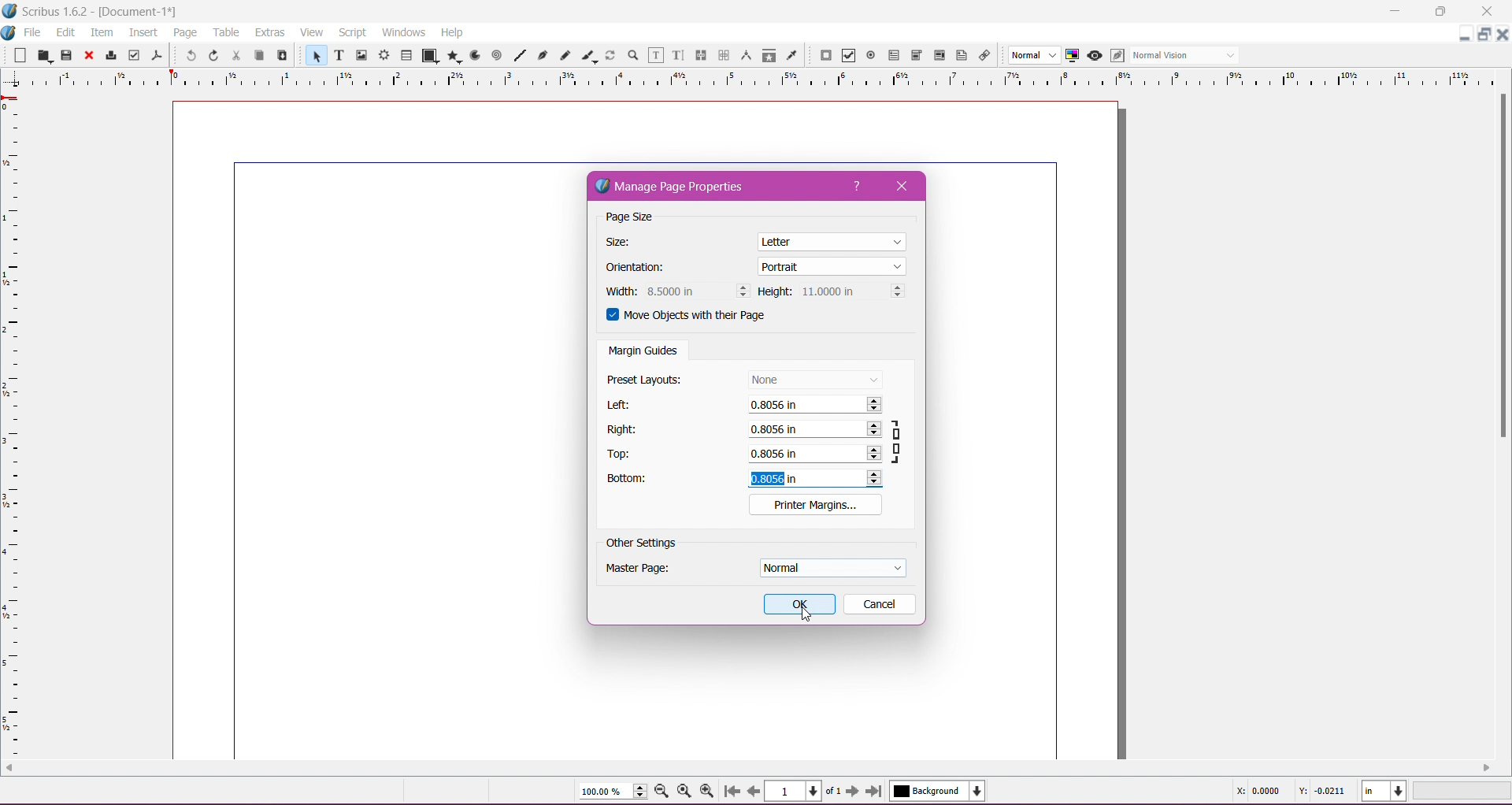 The height and width of the screenshot is (805, 1512). I want to click on Select the current page, so click(804, 791).